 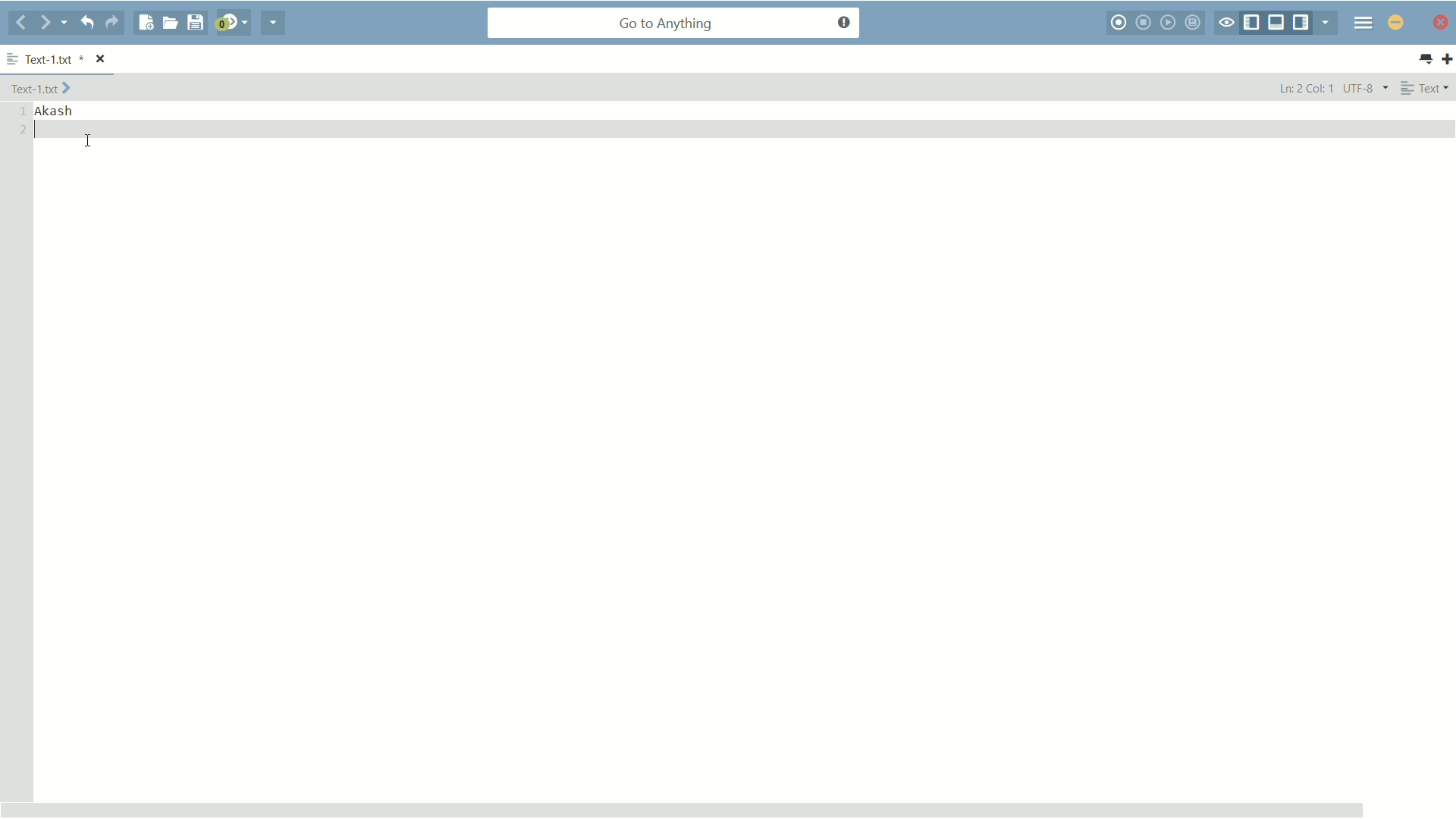 I want to click on save macro to toolbox, so click(x=1194, y=23).